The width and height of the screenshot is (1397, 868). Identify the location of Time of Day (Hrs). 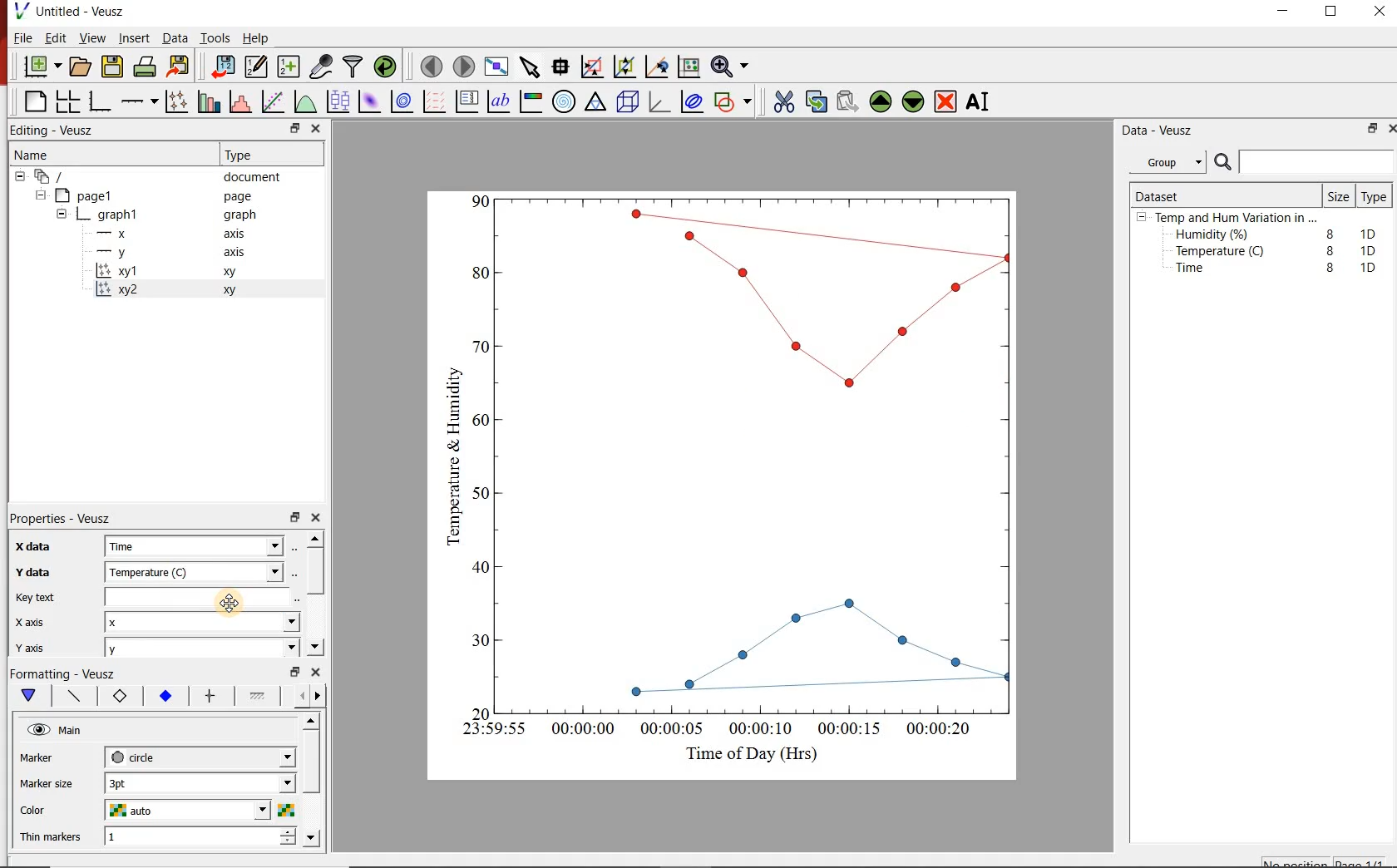
(745, 753).